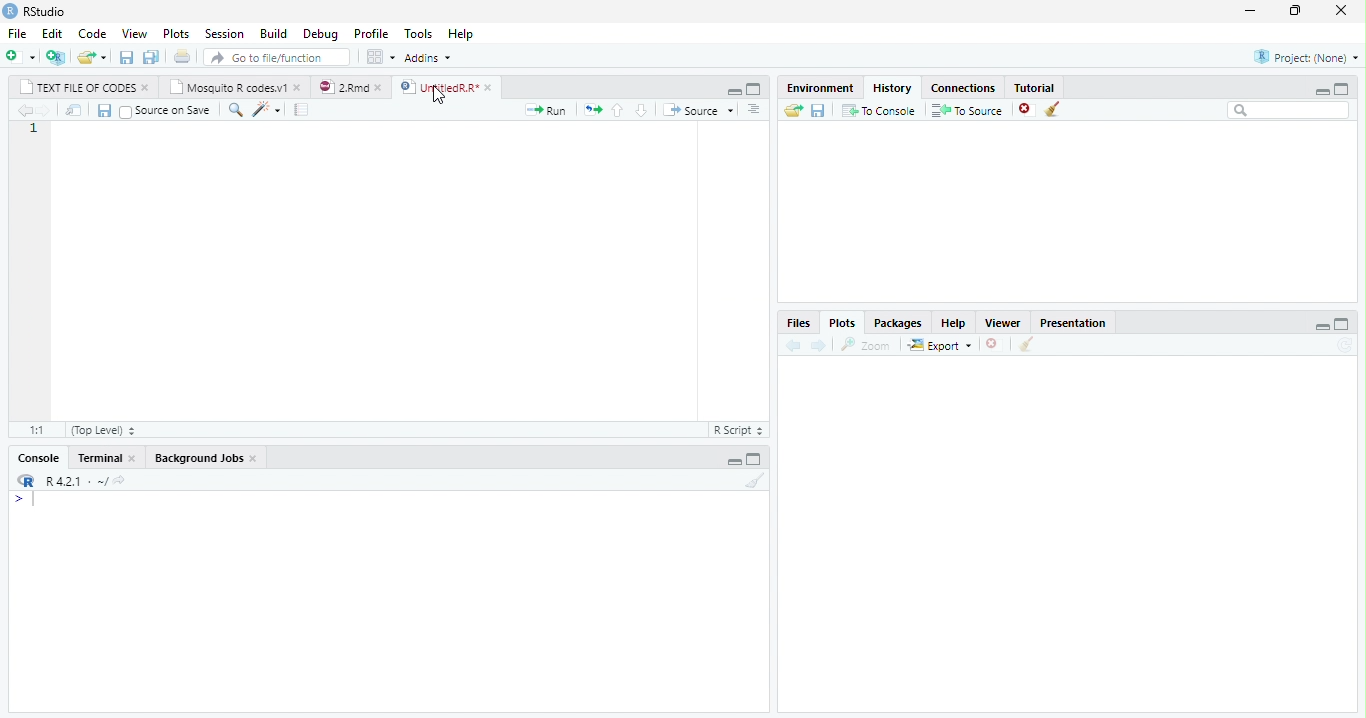 The image size is (1366, 718). I want to click on logo, so click(11, 12).